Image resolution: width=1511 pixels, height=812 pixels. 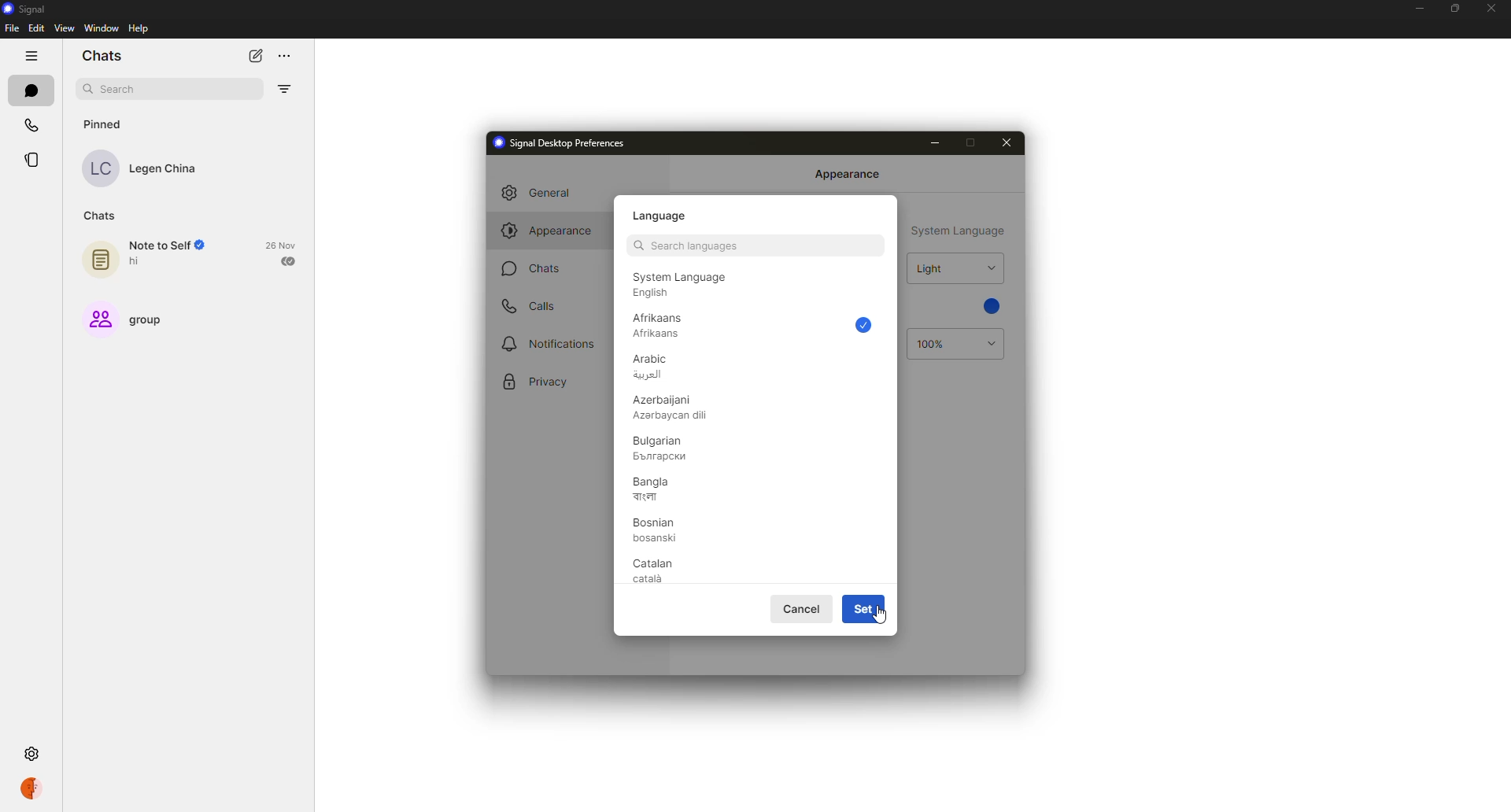 I want to click on catalan, so click(x=655, y=570).